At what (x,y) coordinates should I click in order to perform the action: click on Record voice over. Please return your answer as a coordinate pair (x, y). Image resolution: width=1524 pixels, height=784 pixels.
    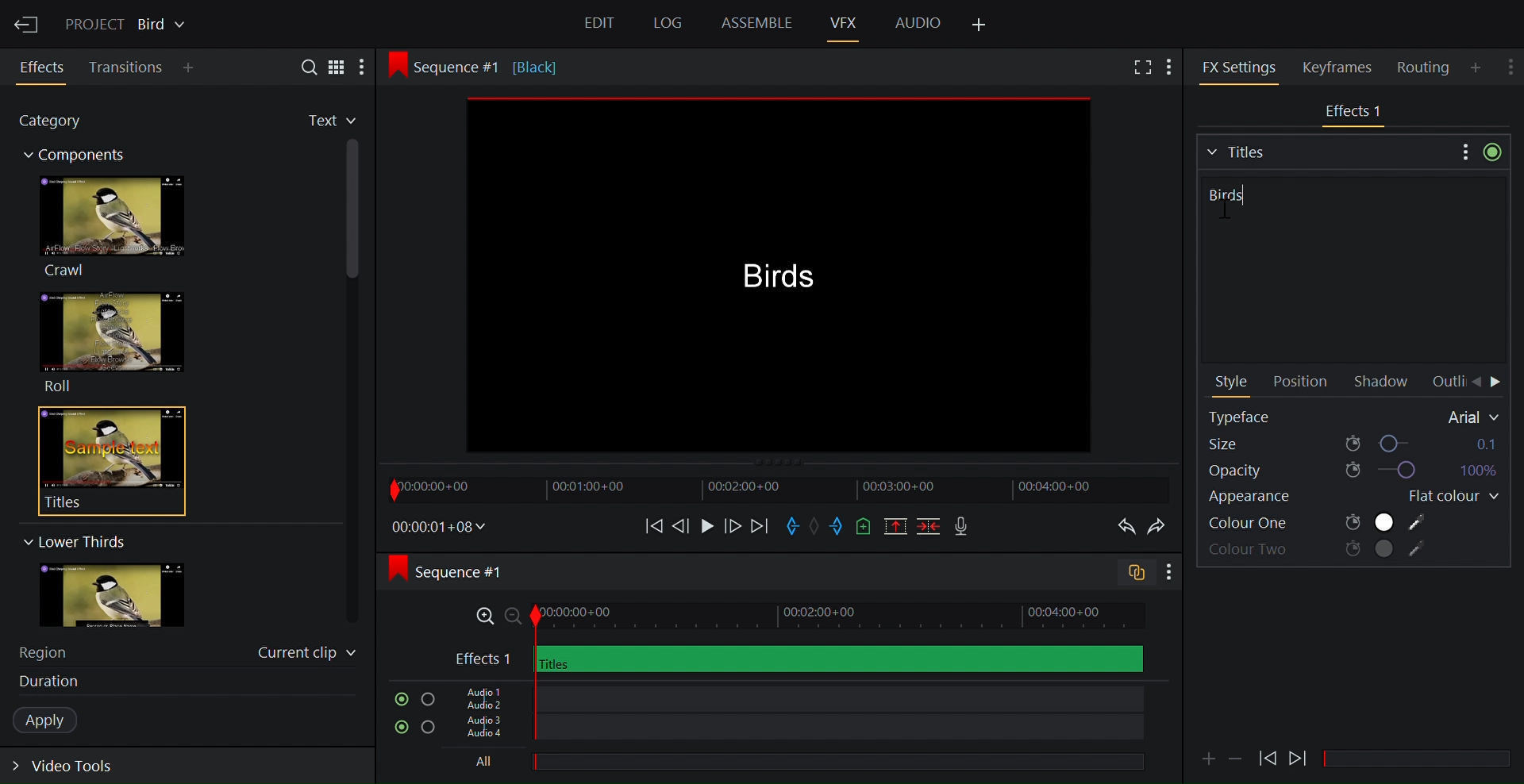
    Looking at the image, I should click on (963, 527).